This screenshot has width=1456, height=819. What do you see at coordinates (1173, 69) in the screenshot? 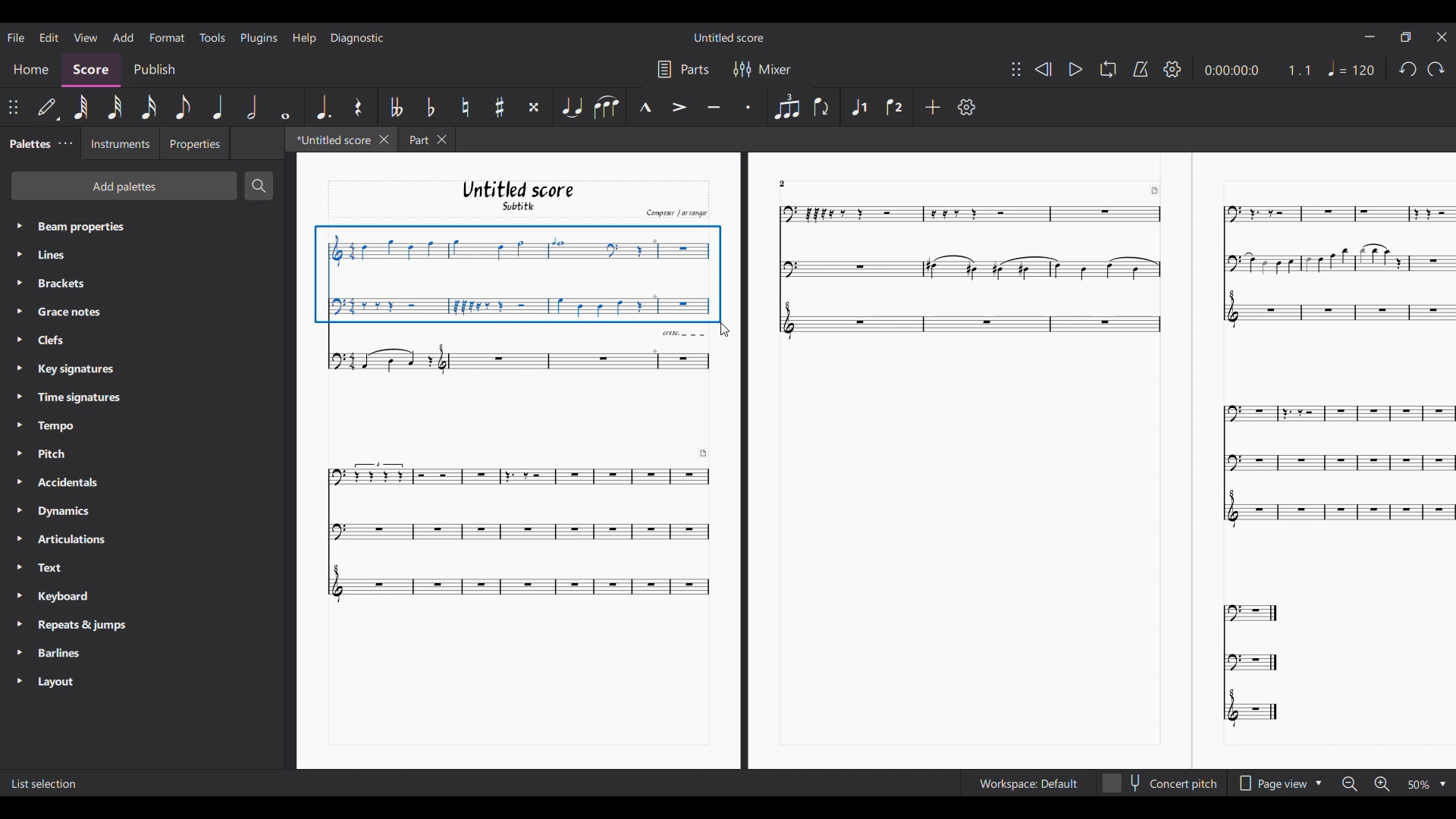
I see `Settings` at bounding box center [1173, 69].